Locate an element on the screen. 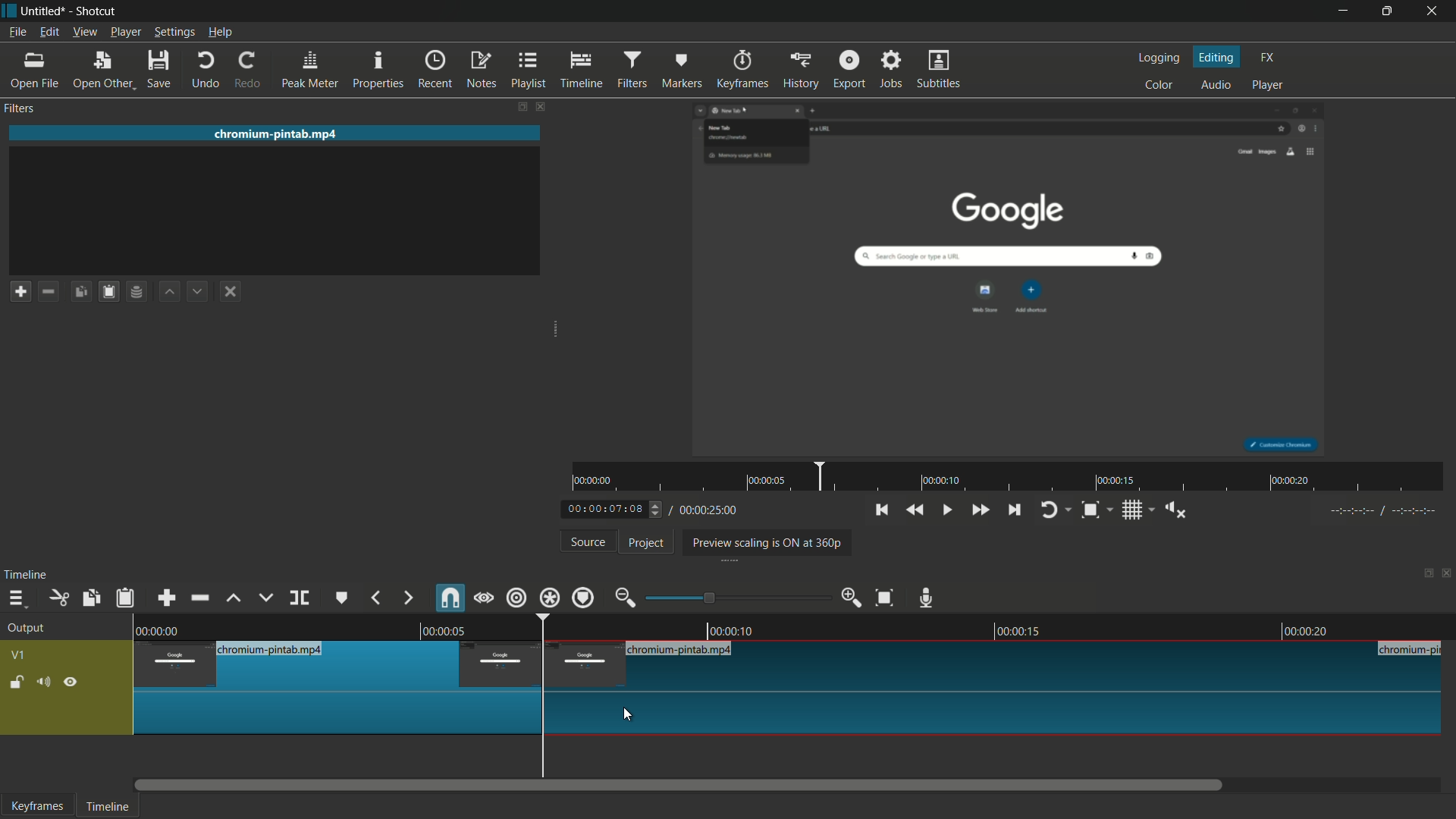 The height and width of the screenshot is (819, 1456). current time is located at coordinates (607, 510).